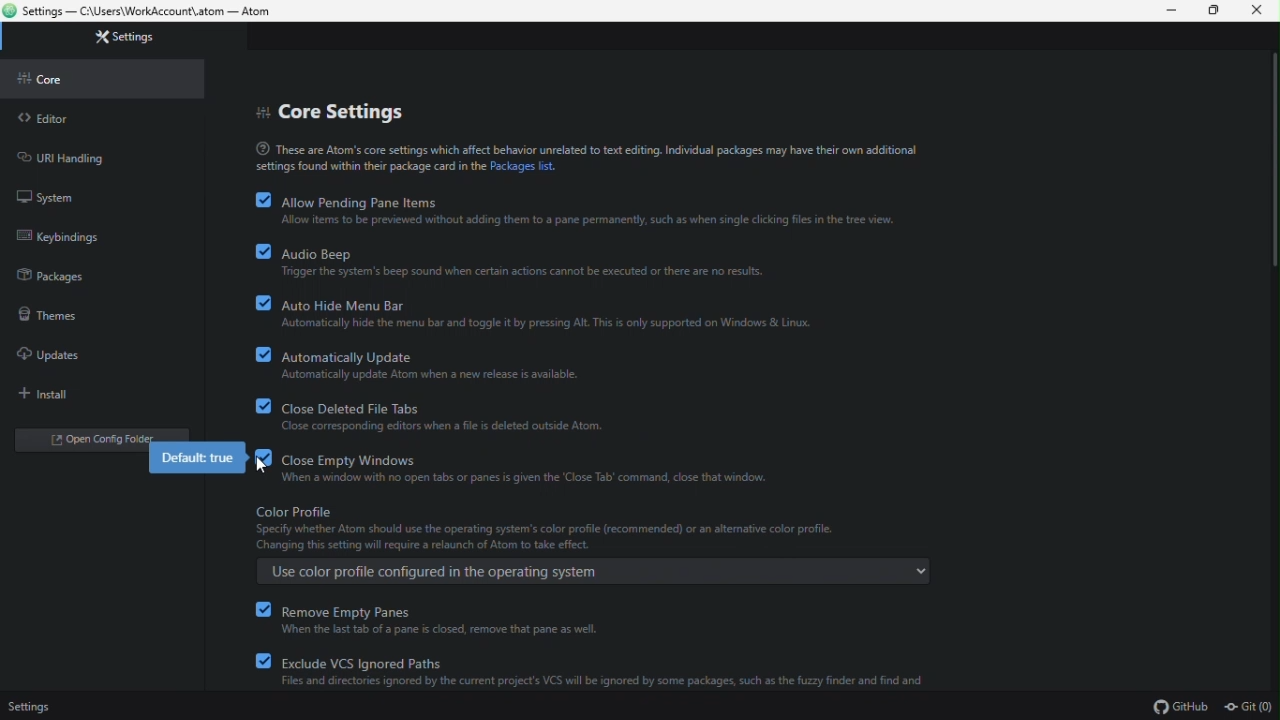 The image size is (1280, 720). I want to click on color profile, so click(592, 541).